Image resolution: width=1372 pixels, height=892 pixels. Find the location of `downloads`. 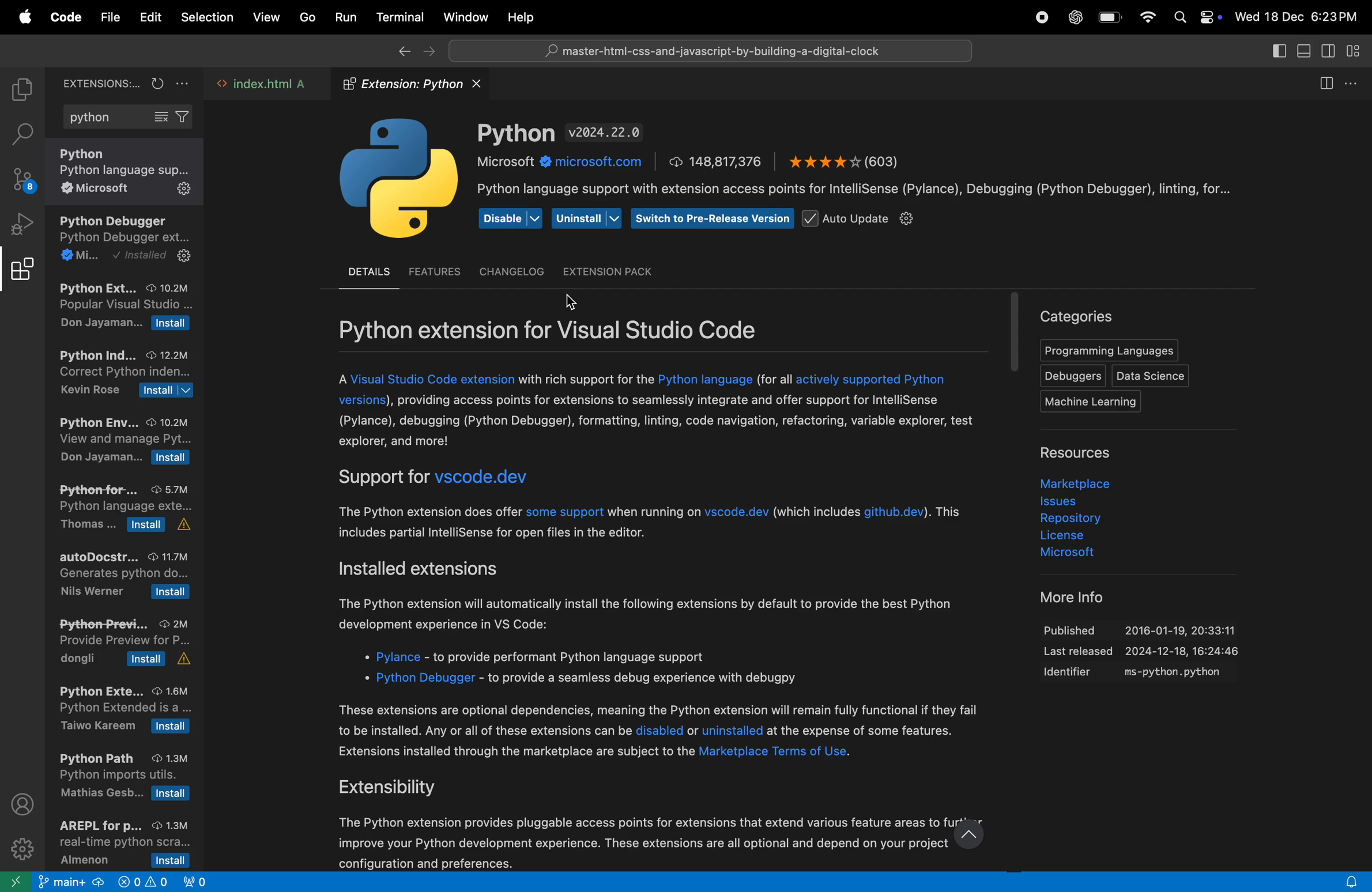

downloads is located at coordinates (717, 161).